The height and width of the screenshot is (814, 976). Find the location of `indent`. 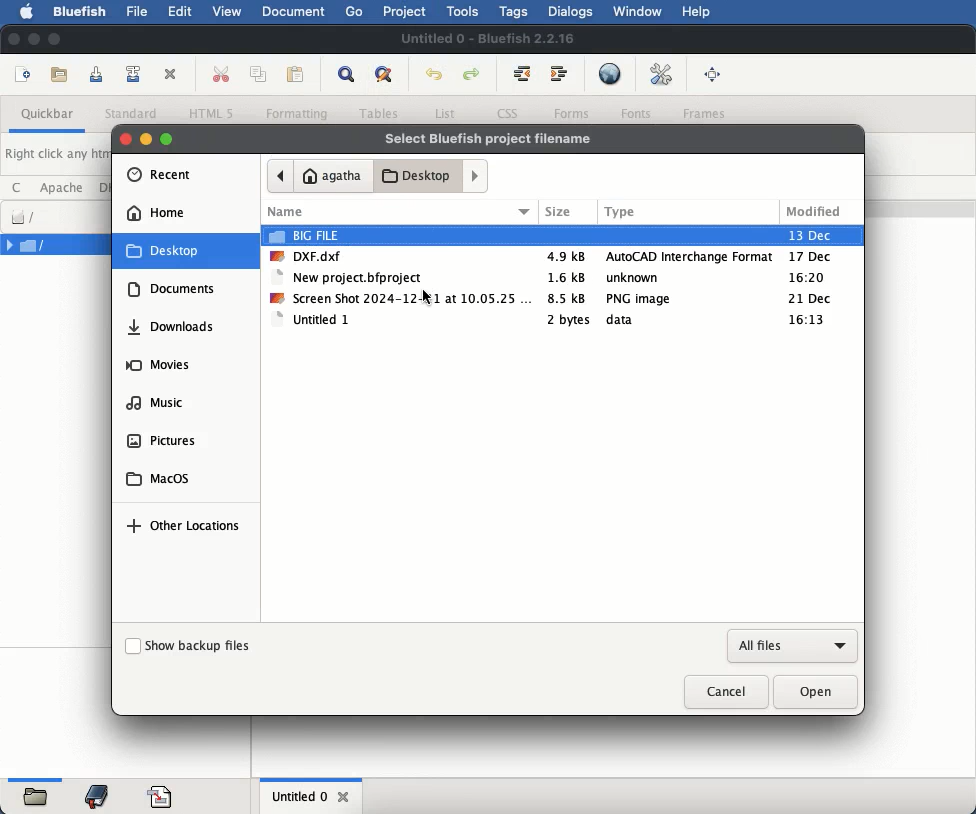

indent is located at coordinates (559, 74).